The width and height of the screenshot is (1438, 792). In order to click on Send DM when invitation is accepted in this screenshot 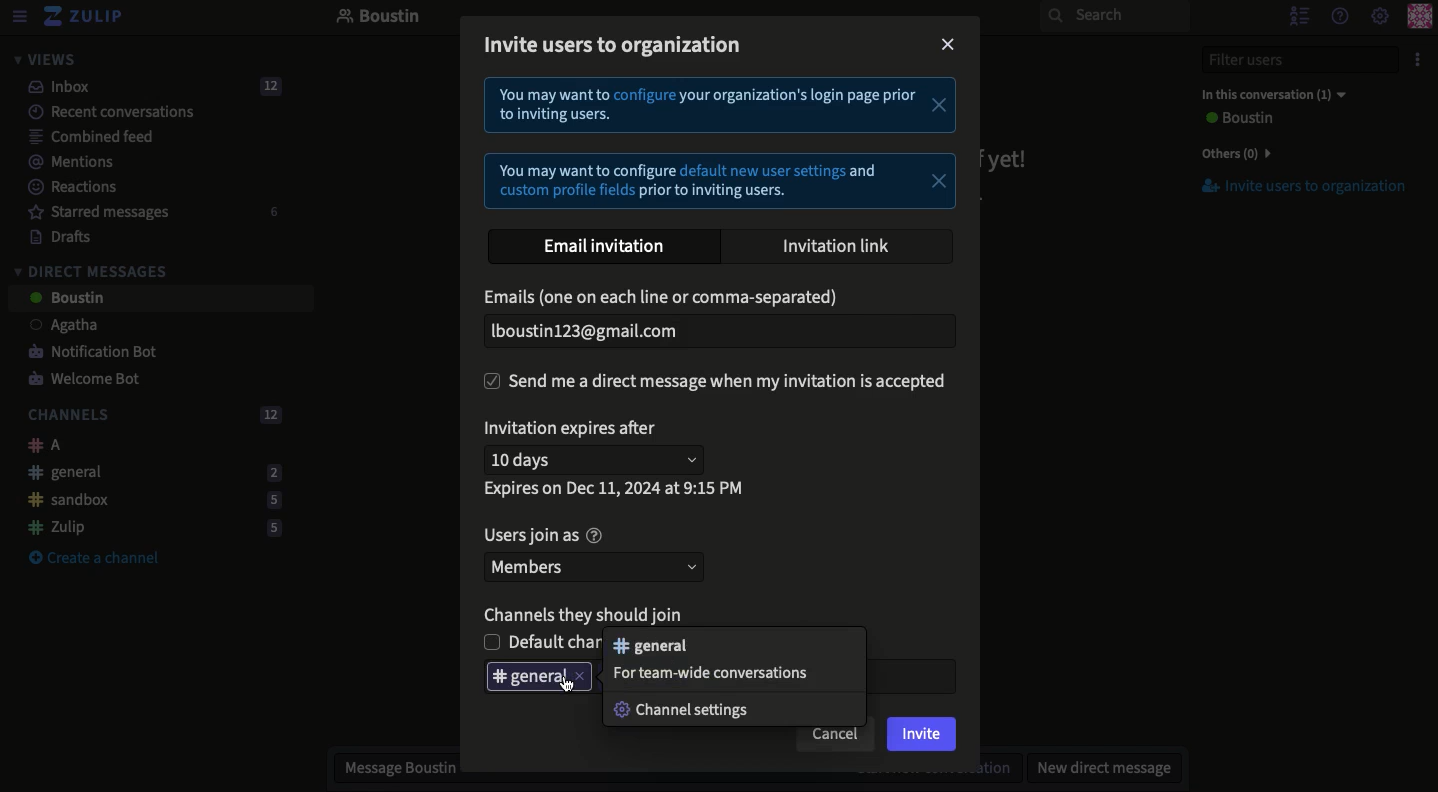, I will do `click(720, 382)`.